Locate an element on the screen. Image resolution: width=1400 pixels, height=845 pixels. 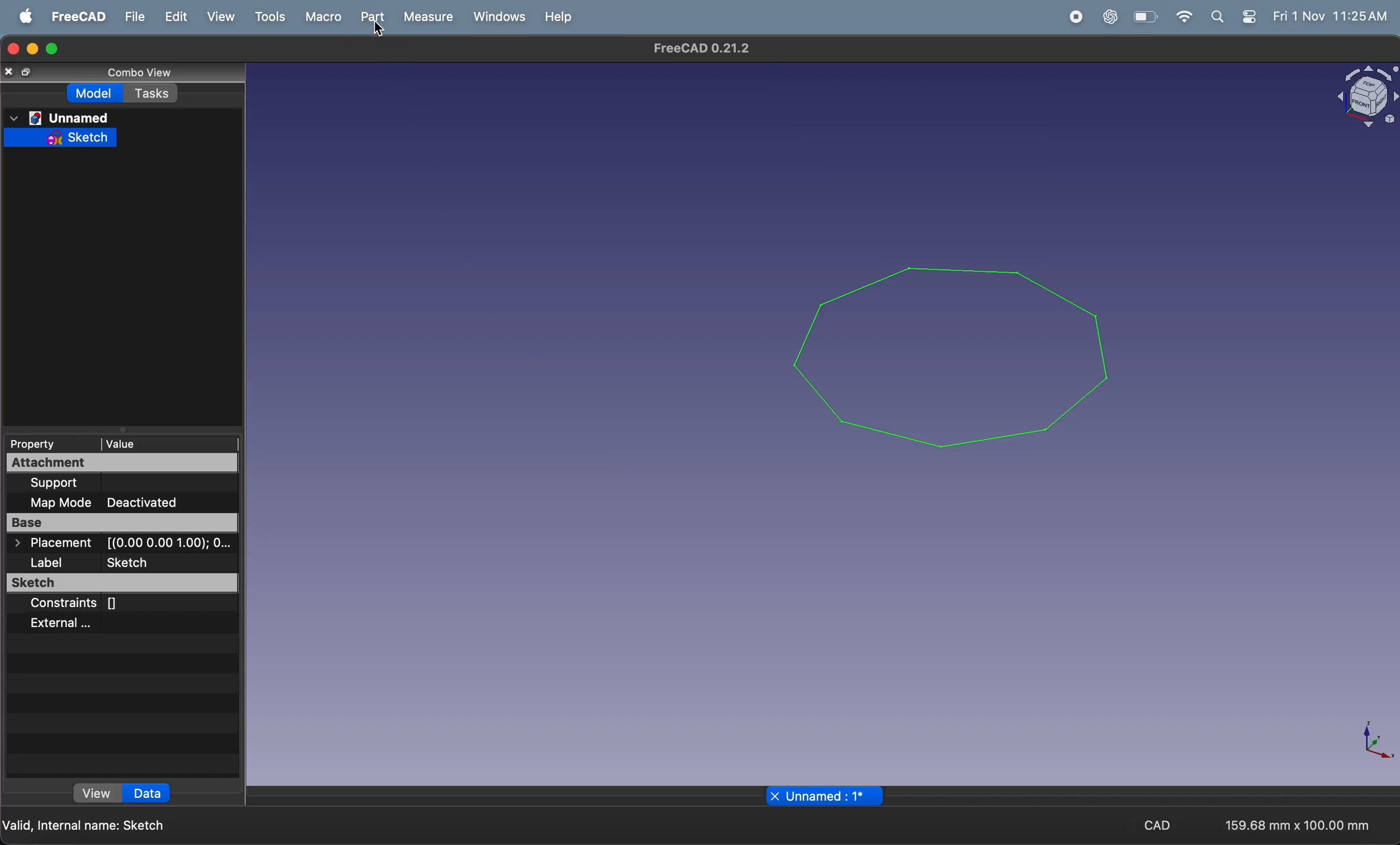
property is located at coordinates (47, 445).